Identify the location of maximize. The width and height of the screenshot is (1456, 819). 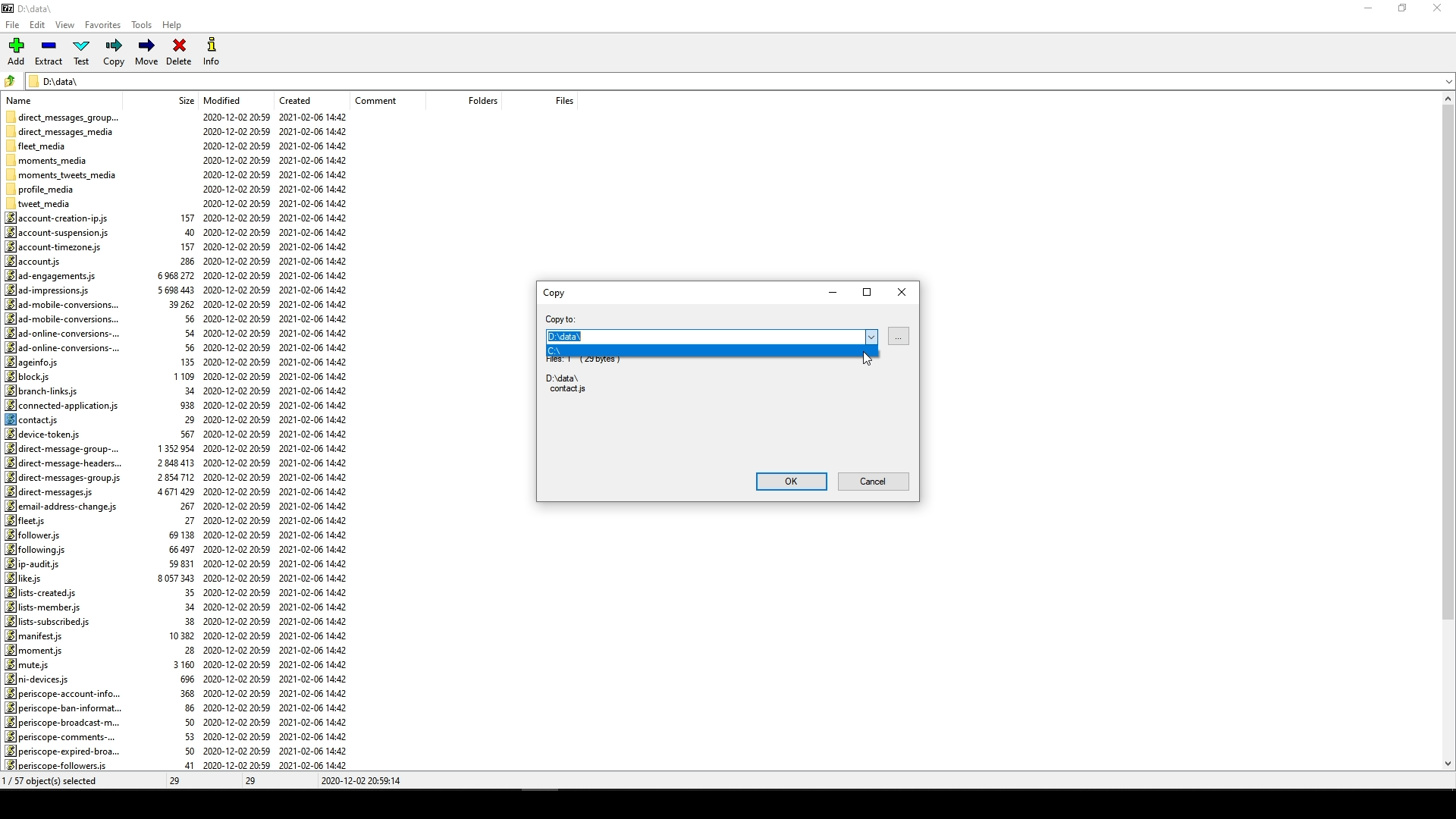
(867, 290).